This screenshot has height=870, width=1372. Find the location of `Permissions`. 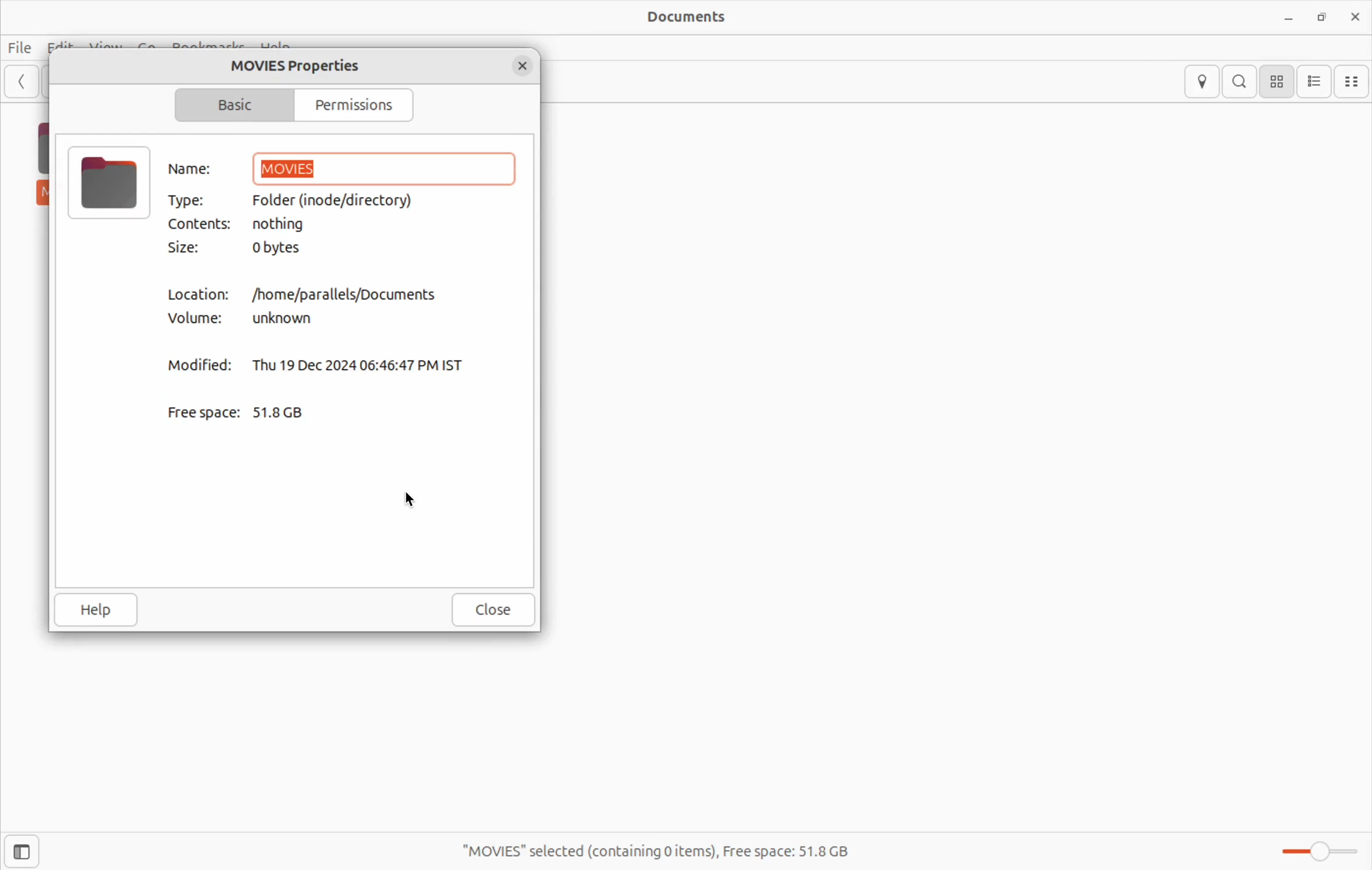

Permissions is located at coordinates (357, 107).